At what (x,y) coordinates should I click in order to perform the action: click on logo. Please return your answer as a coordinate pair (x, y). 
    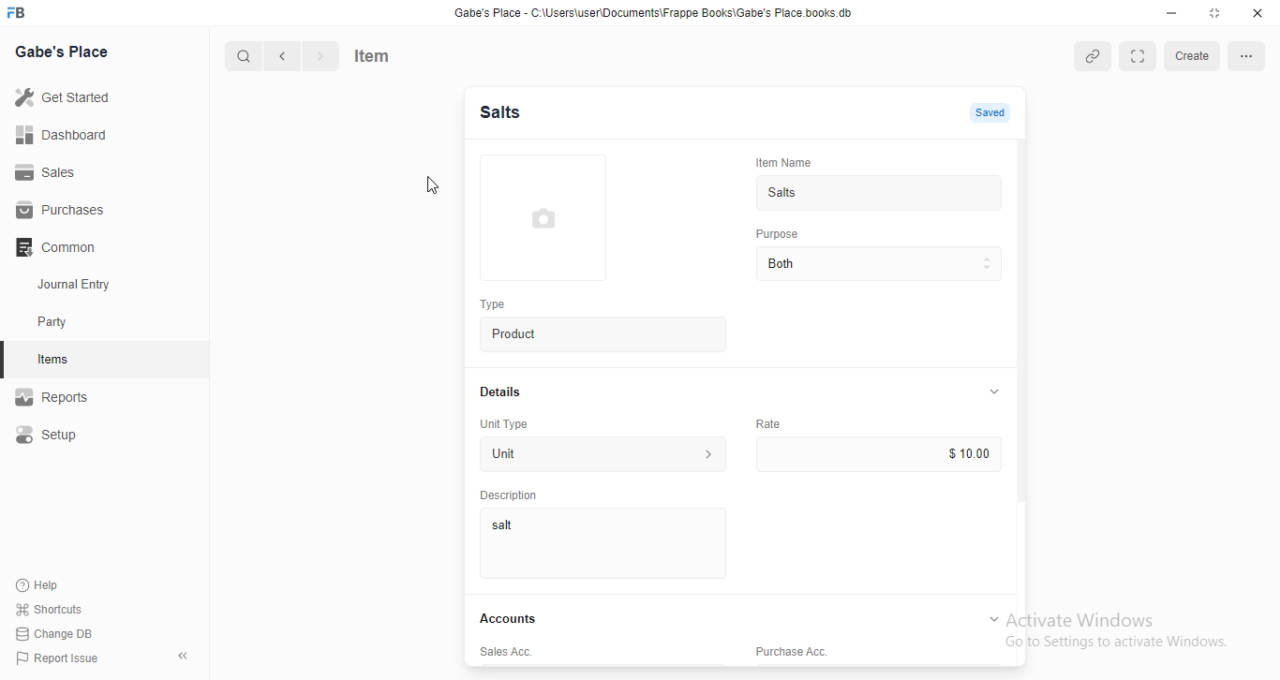
    Looking at the image, I should click on (16, 12).